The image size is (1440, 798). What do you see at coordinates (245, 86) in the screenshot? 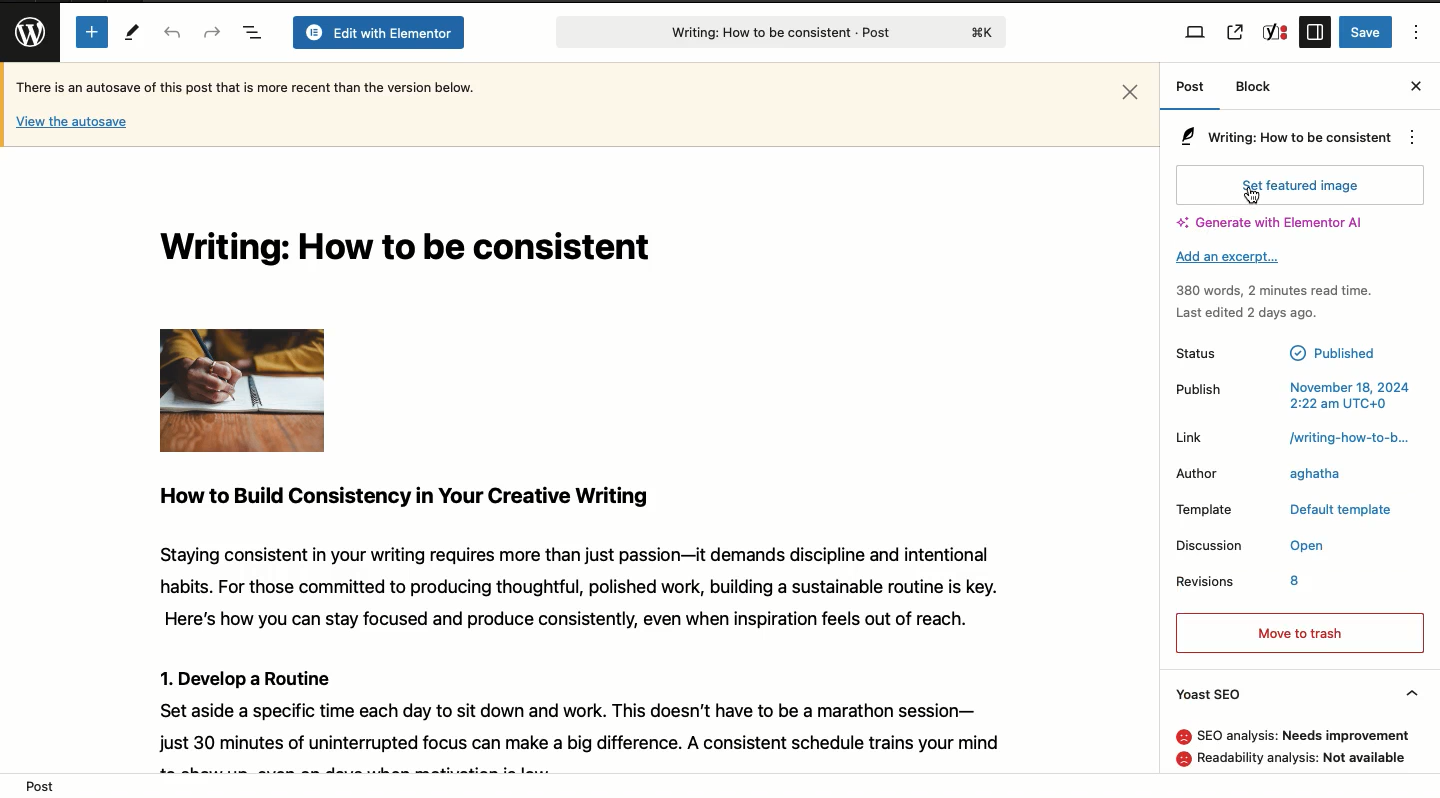
I see `There is an autosave of this post that is more recent than the version below.` at bounding box center [245, 86].